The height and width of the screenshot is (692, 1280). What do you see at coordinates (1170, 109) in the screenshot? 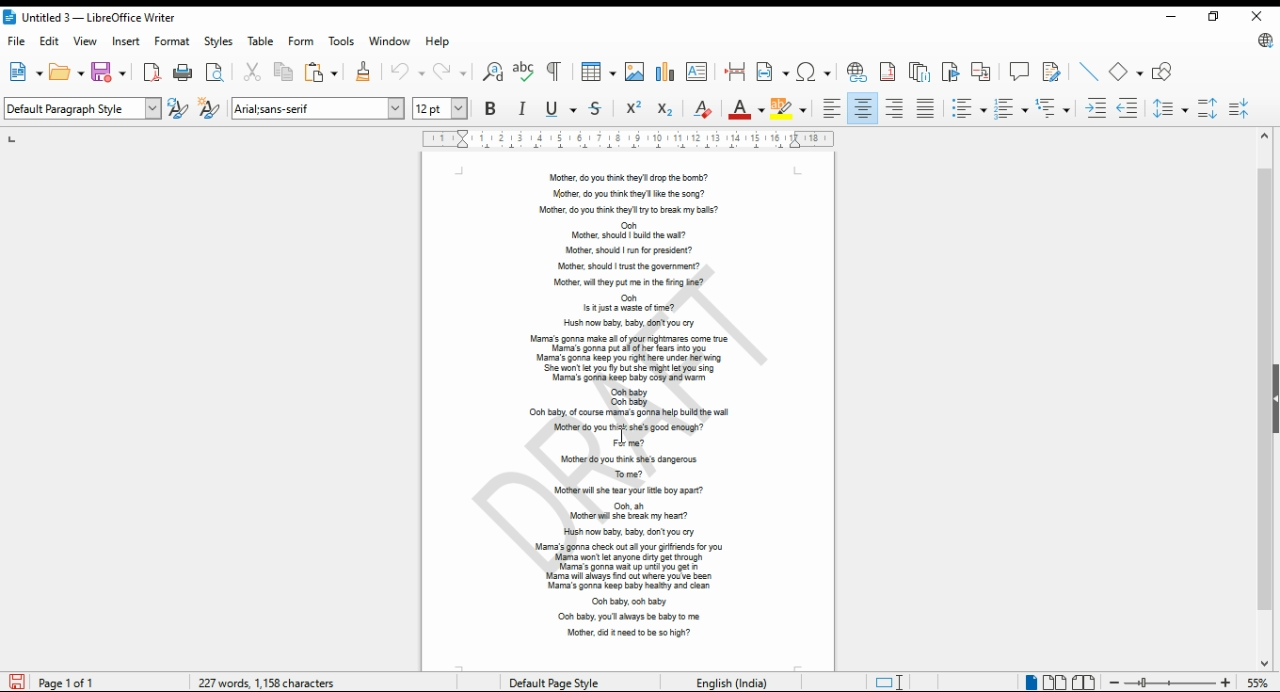
I see `set line spacing` at bounding box center [1170, 109].